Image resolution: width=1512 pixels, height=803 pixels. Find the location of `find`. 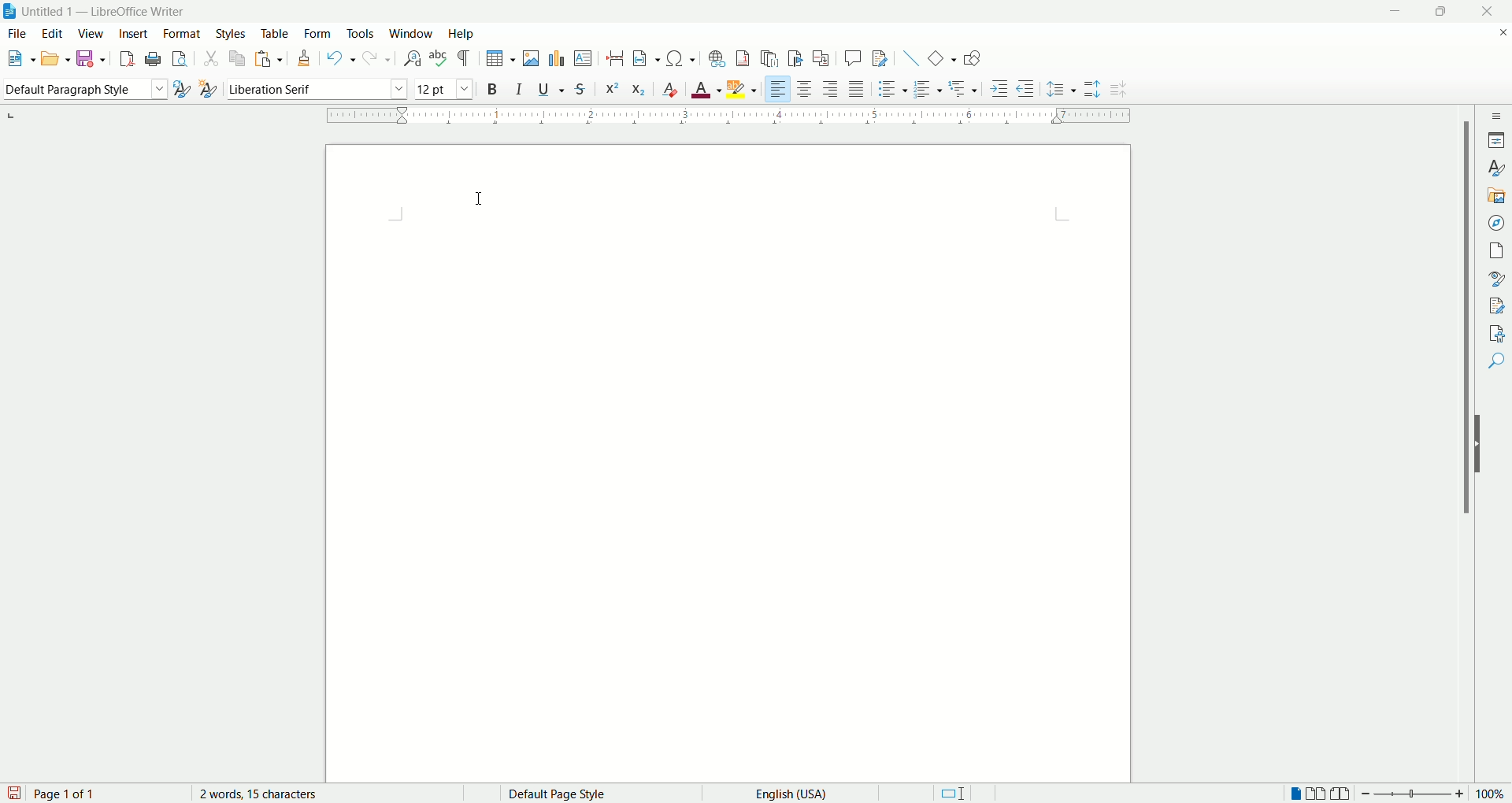

find is located at coordinates (1494, 363).